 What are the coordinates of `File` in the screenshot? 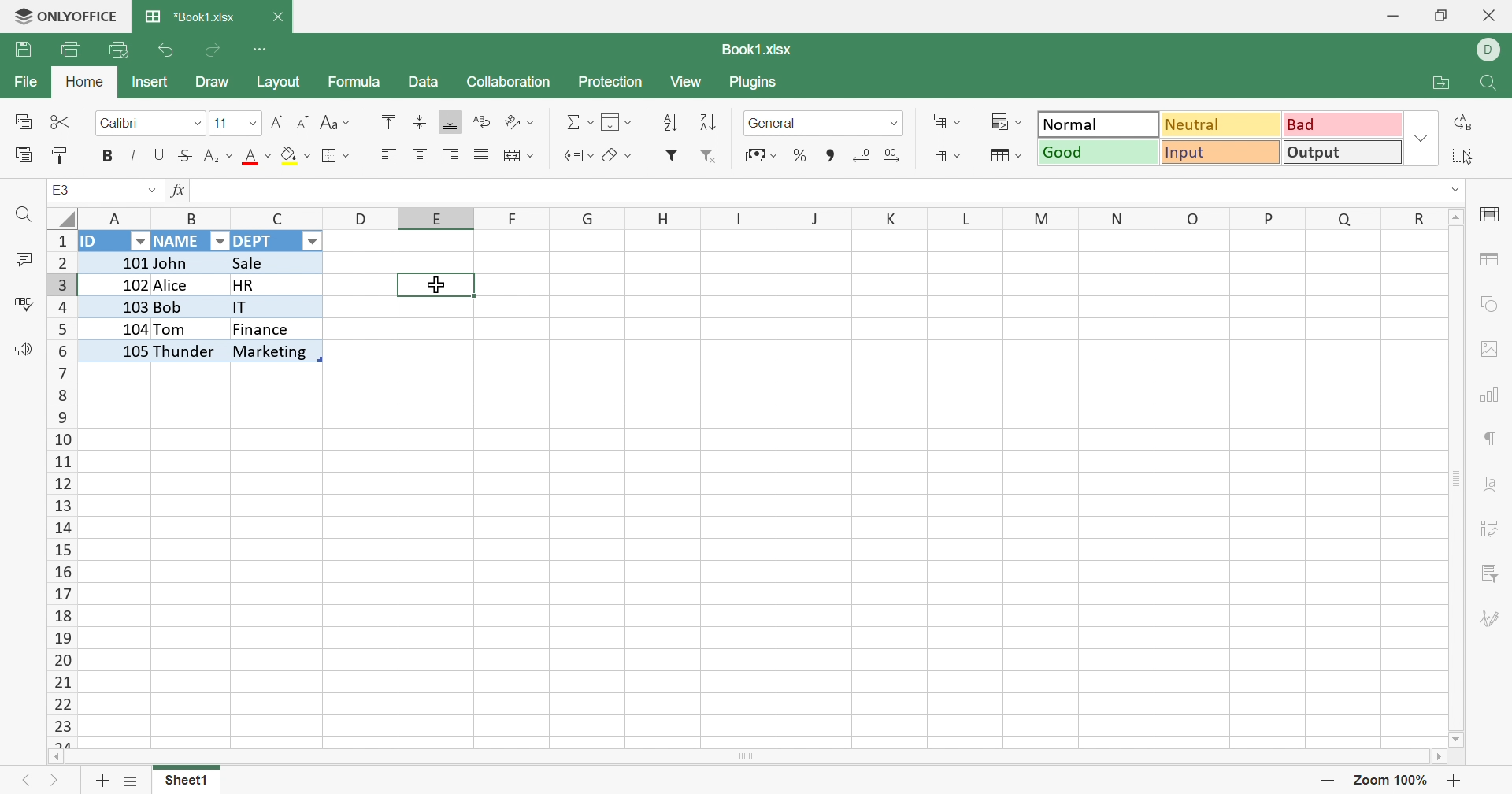 It's located at (23, 83).